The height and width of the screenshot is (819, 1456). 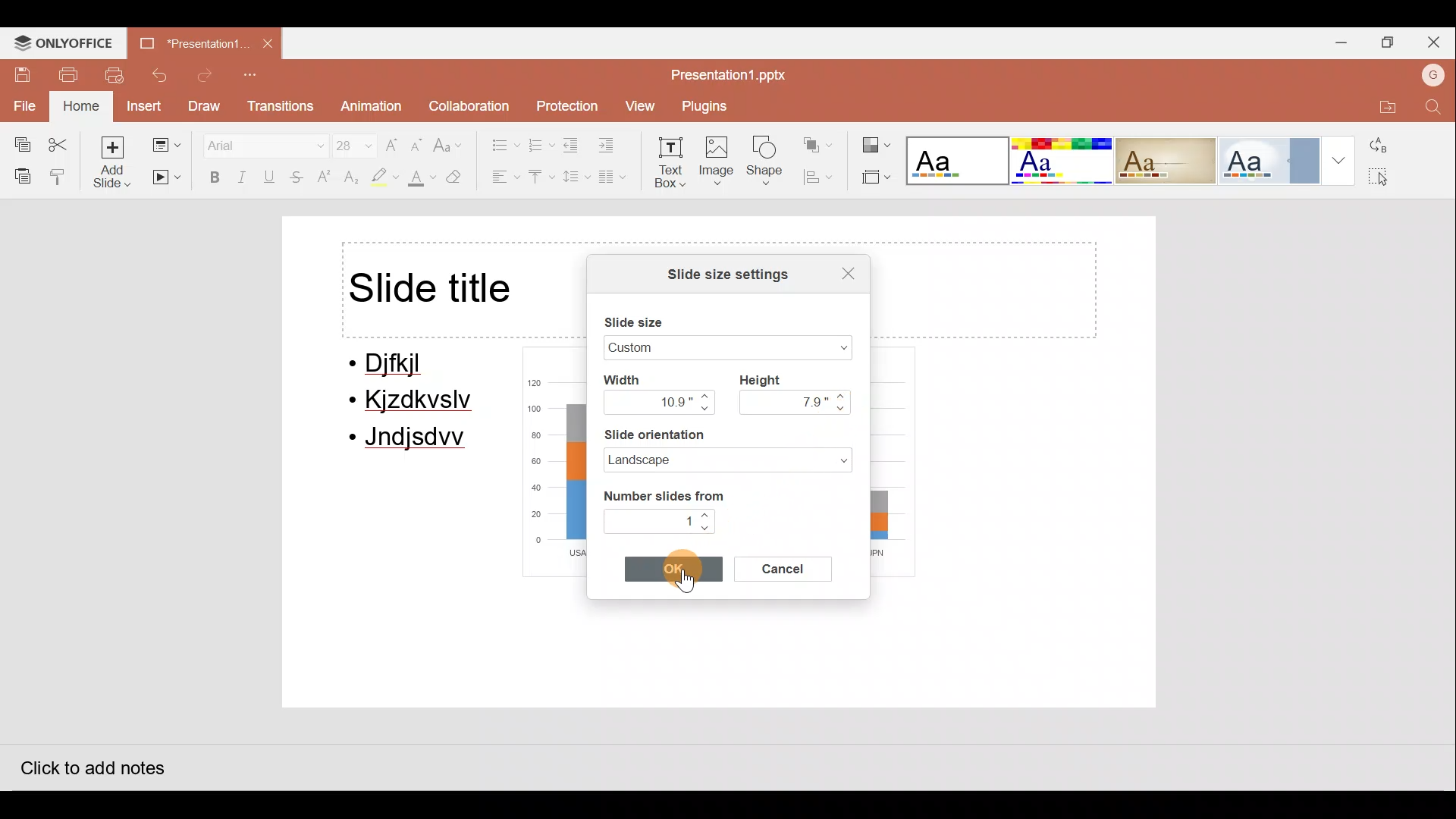 I want to click on 1, so click(x=650, y=519).